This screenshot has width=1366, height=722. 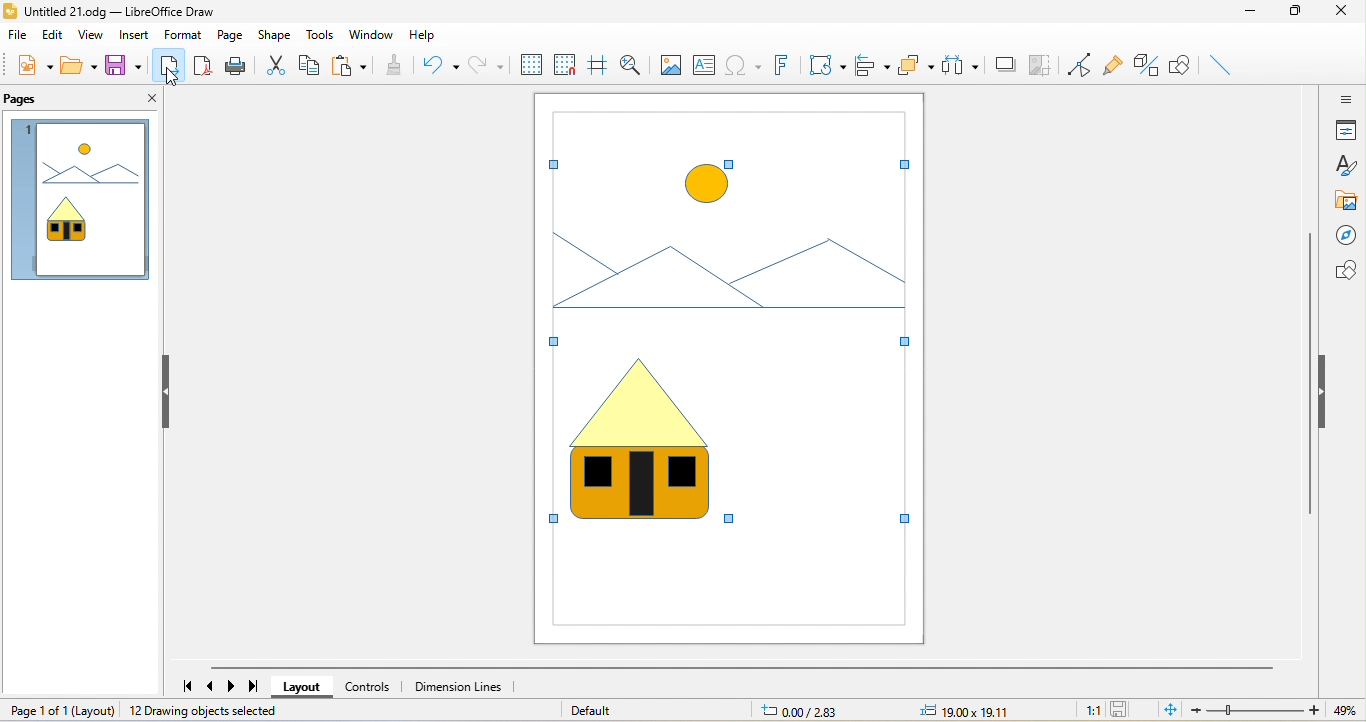 What do you see at coordinates (121, 64) in the screenshot?
I see `save` at bounding box center [121, 64].